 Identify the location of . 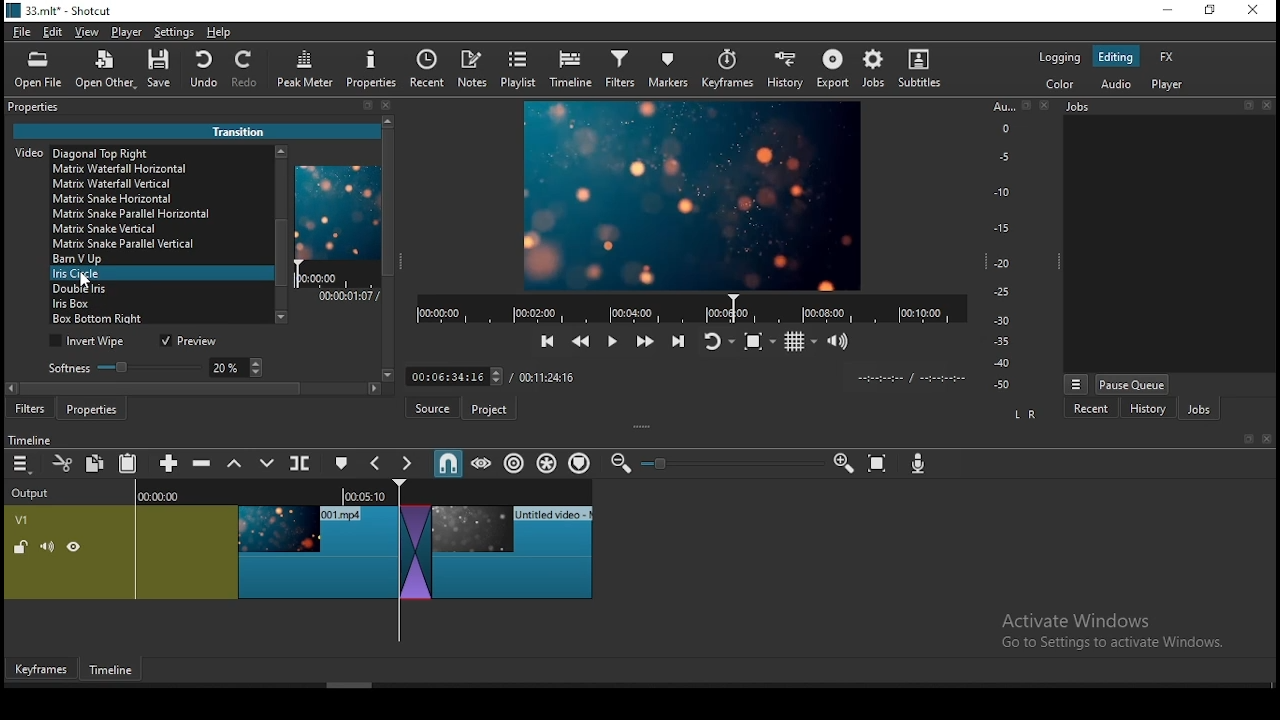
(1247, 440).